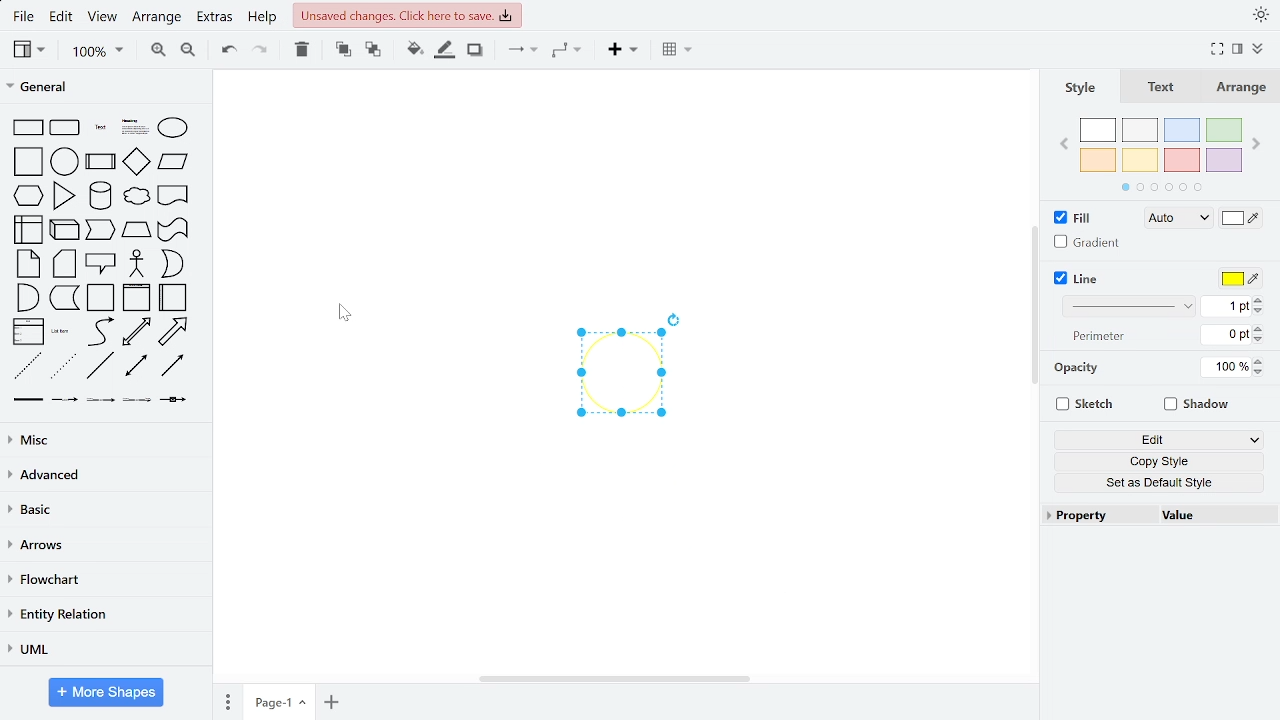 The width and height of the screenshot is (1280, 720). Describe the element at coordinates (137, 230) in the screenshot. I see `trapezoid` at that location.